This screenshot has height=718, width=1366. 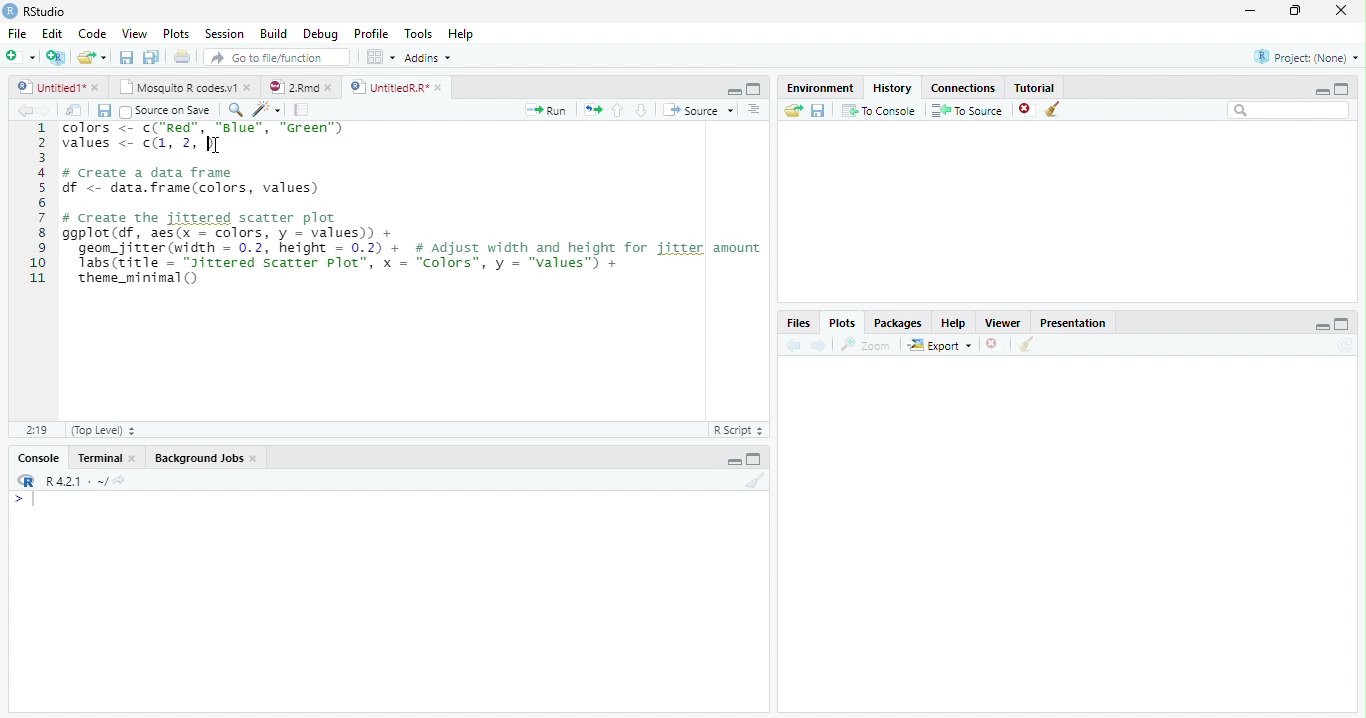 What do you see at coordinates (39, 457) in the screenshot?
I see `Console` at bounding box center [39, 457].